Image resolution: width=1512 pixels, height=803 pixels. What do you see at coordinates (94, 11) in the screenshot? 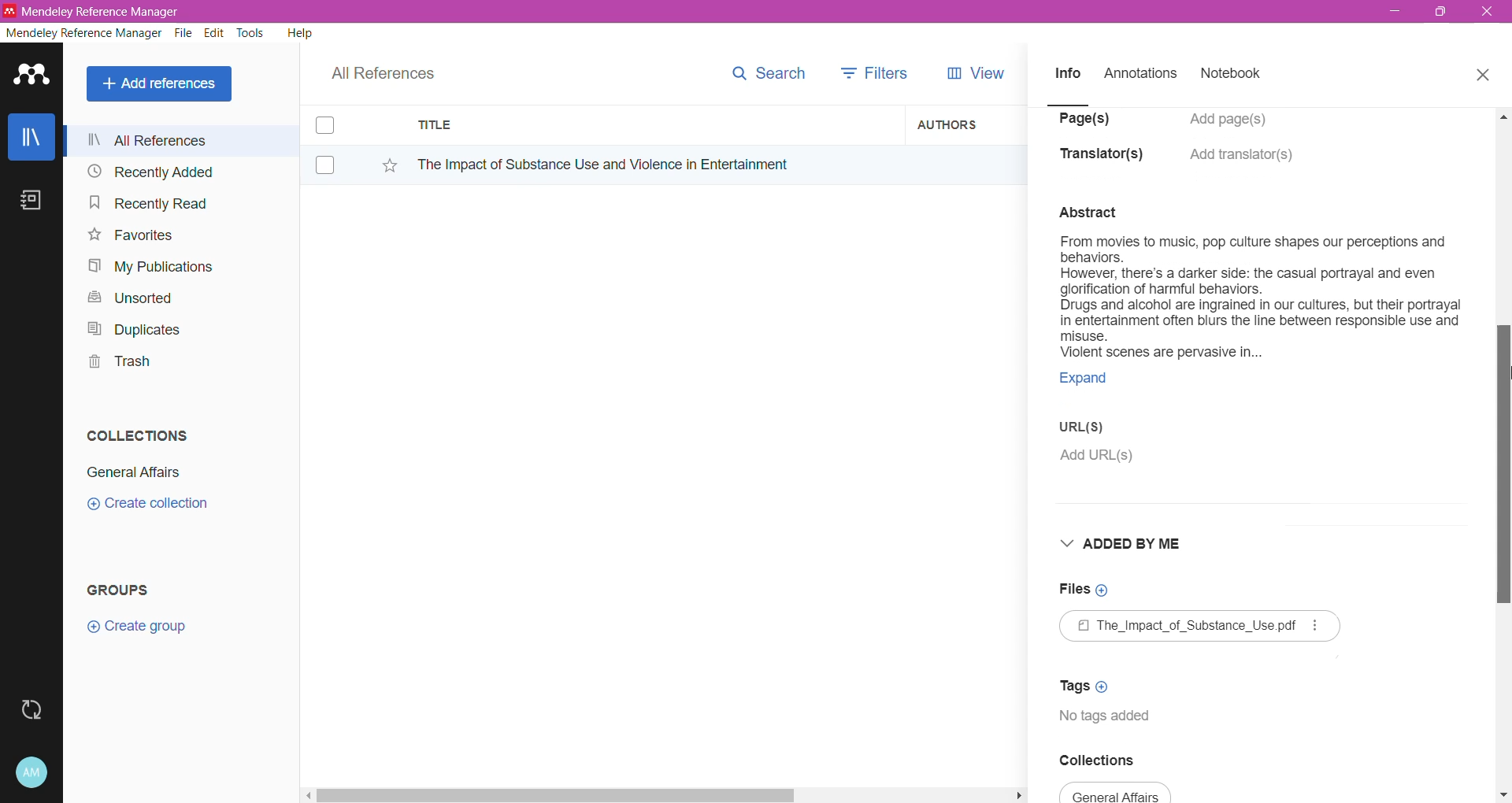
I see `Application Name` at bounding box center [94, 11].